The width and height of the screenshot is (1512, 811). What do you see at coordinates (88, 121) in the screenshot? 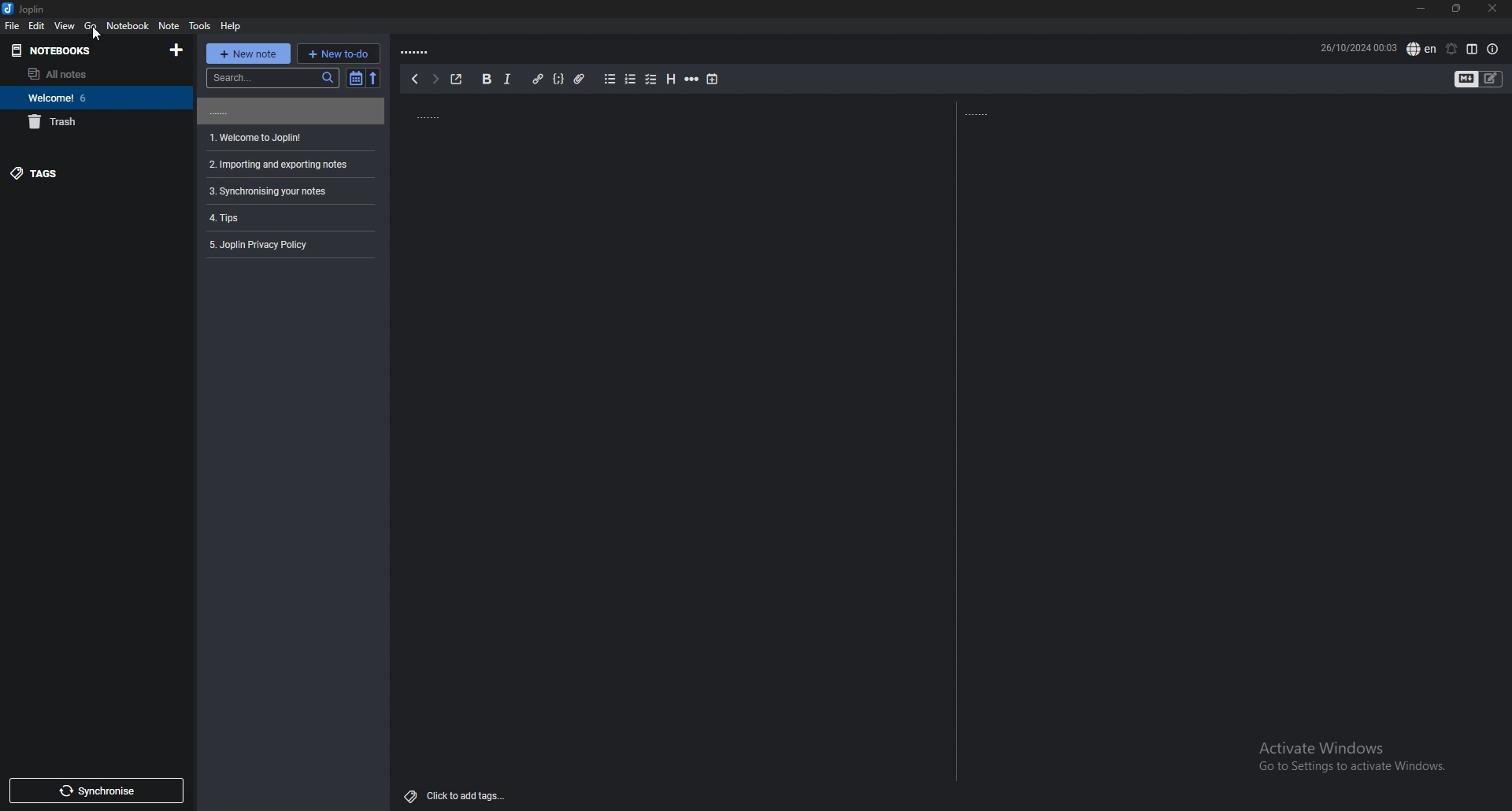
I see `trash` at bounding box center [88, 121].